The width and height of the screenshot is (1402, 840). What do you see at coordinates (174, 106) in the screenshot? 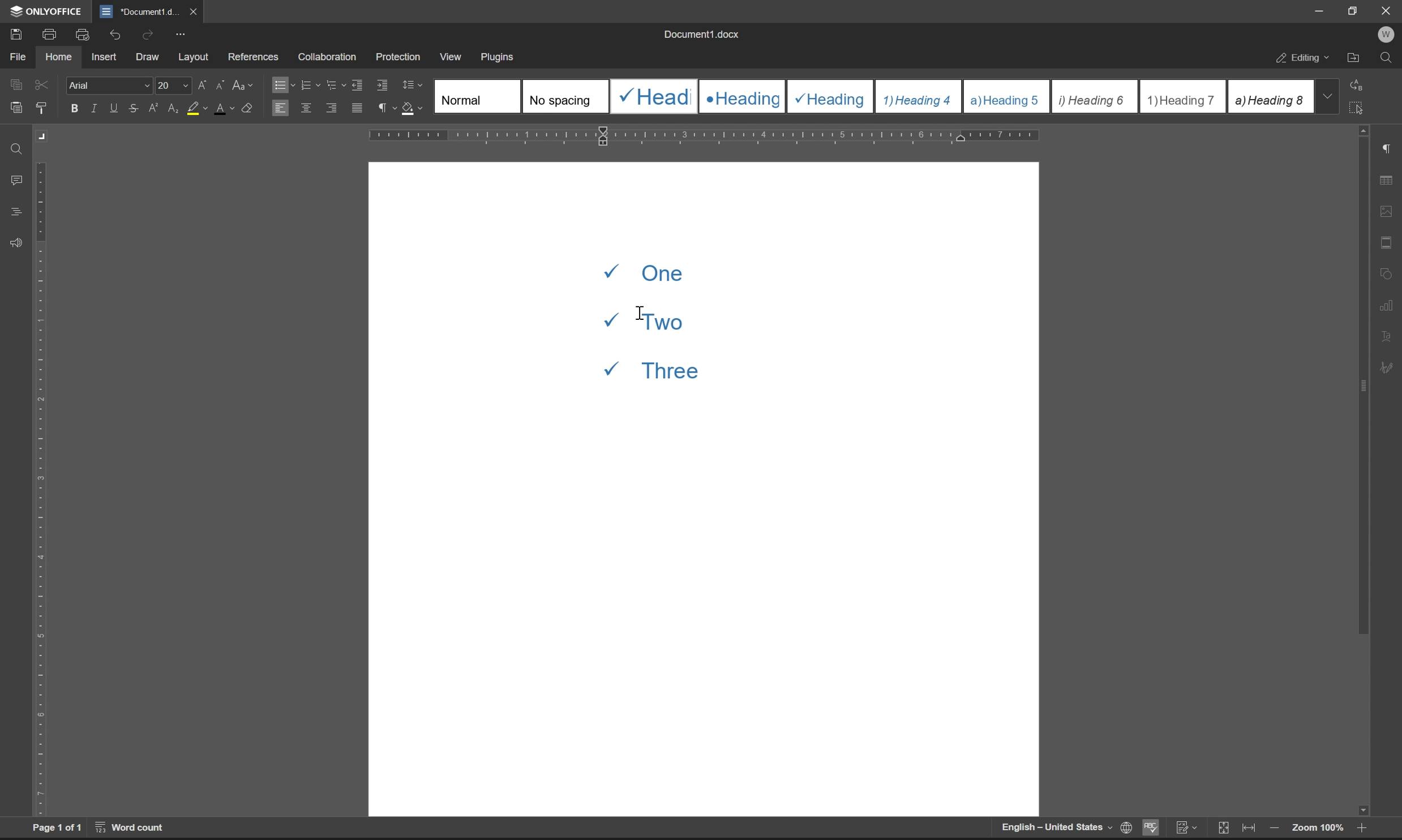
I see `subscript` at bounding box center [174, 106].